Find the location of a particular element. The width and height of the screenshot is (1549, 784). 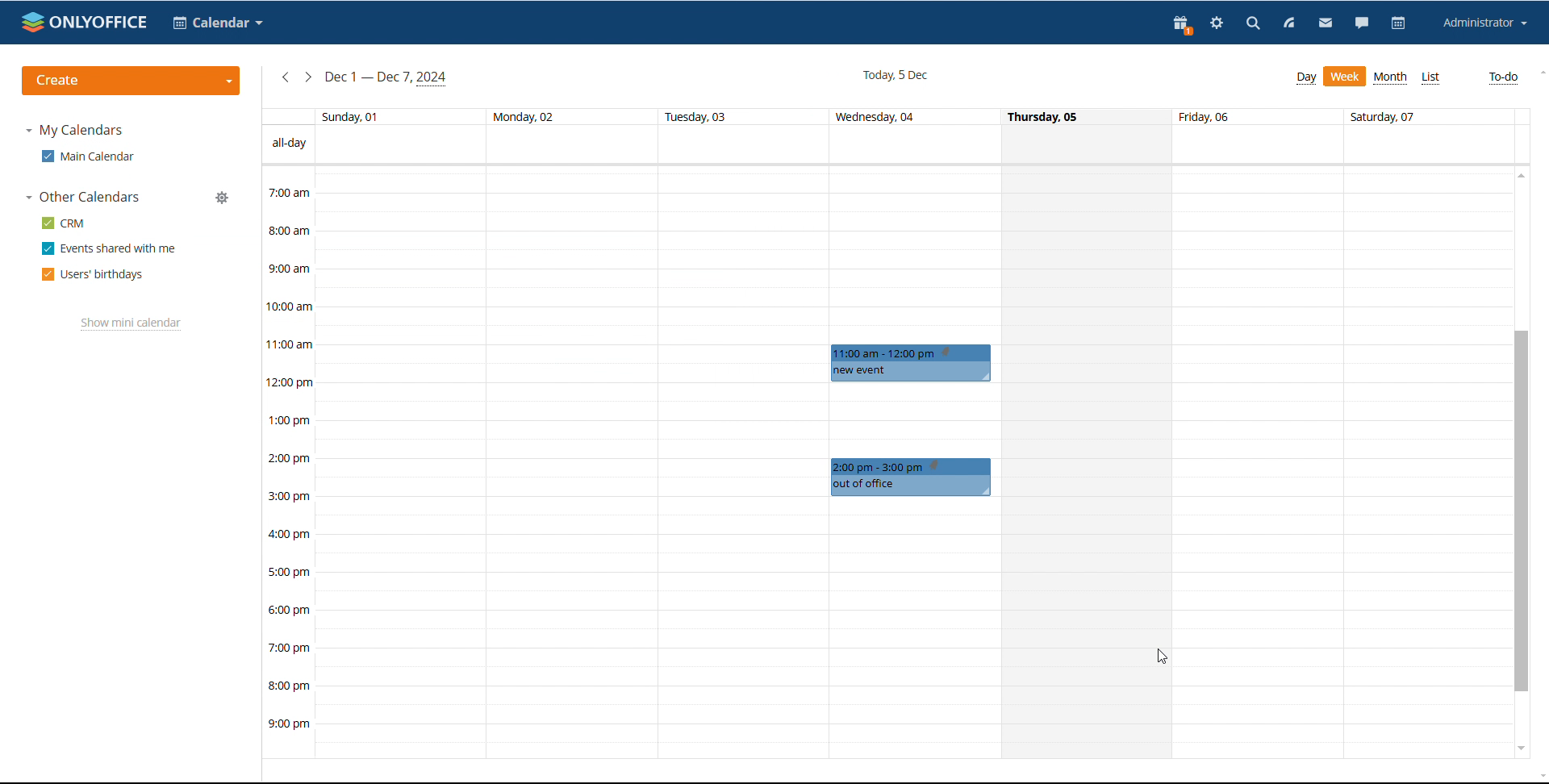

my calendars is located at coordinates (73, 131).